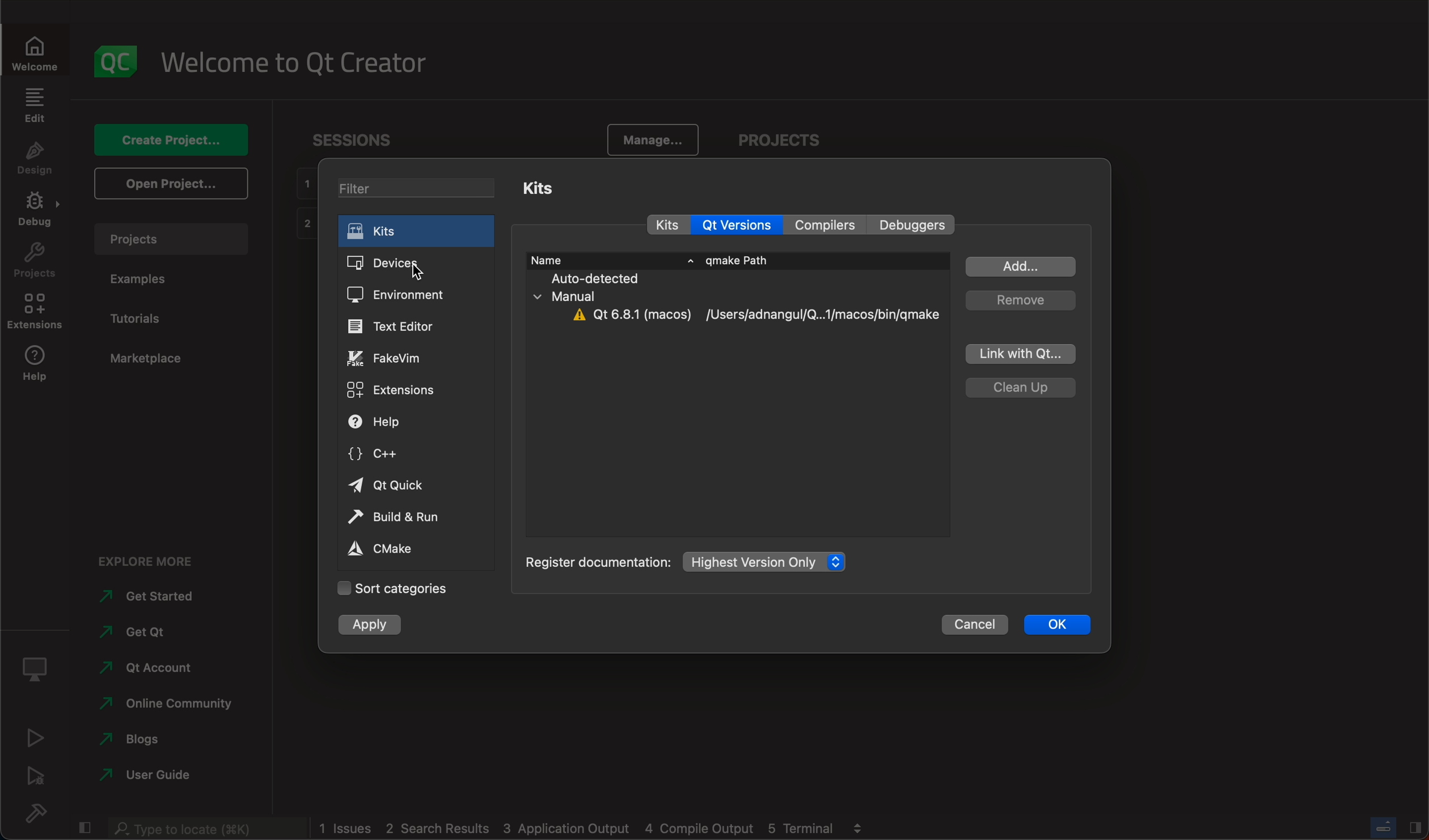  Describe the element at coordinates (409, 359) in the screenshot. I see `fakevim` at that location.